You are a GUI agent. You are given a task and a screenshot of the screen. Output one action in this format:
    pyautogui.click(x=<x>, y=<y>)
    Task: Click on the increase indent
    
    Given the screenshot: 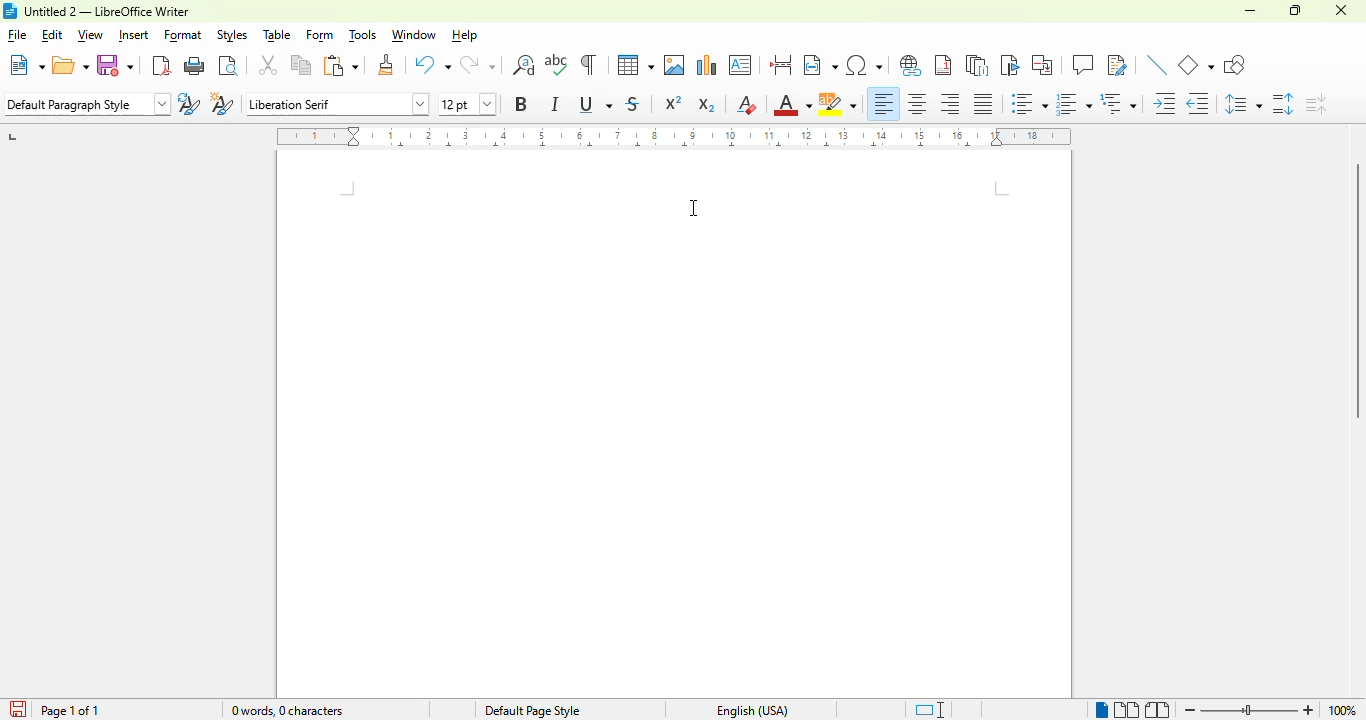 What is the action you would take?
    pyautogui.click(x=1165, y=104)
    